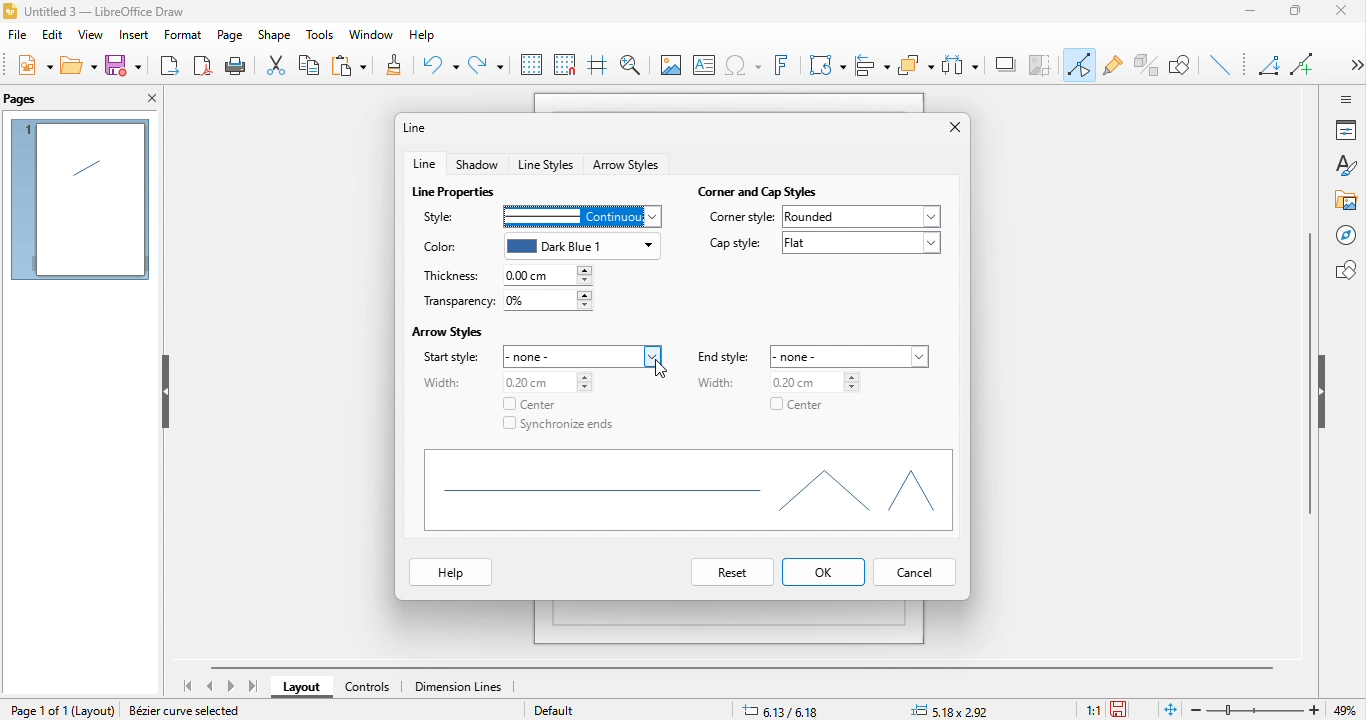  I want to click on file, so click(21, 38).